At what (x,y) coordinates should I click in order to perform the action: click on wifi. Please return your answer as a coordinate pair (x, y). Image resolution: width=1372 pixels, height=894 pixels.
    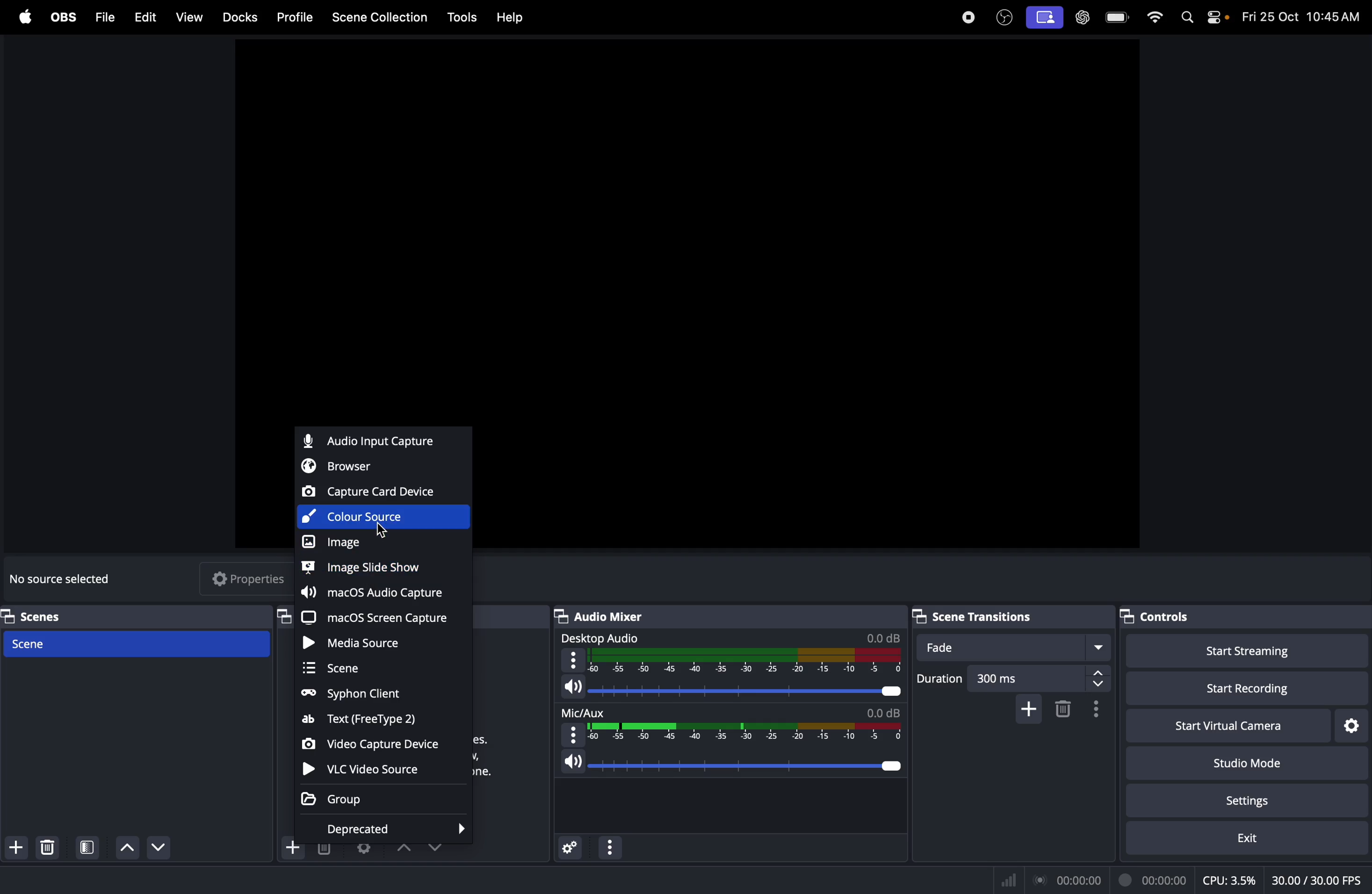
    Looking at the image, I should click on (1156, 17).